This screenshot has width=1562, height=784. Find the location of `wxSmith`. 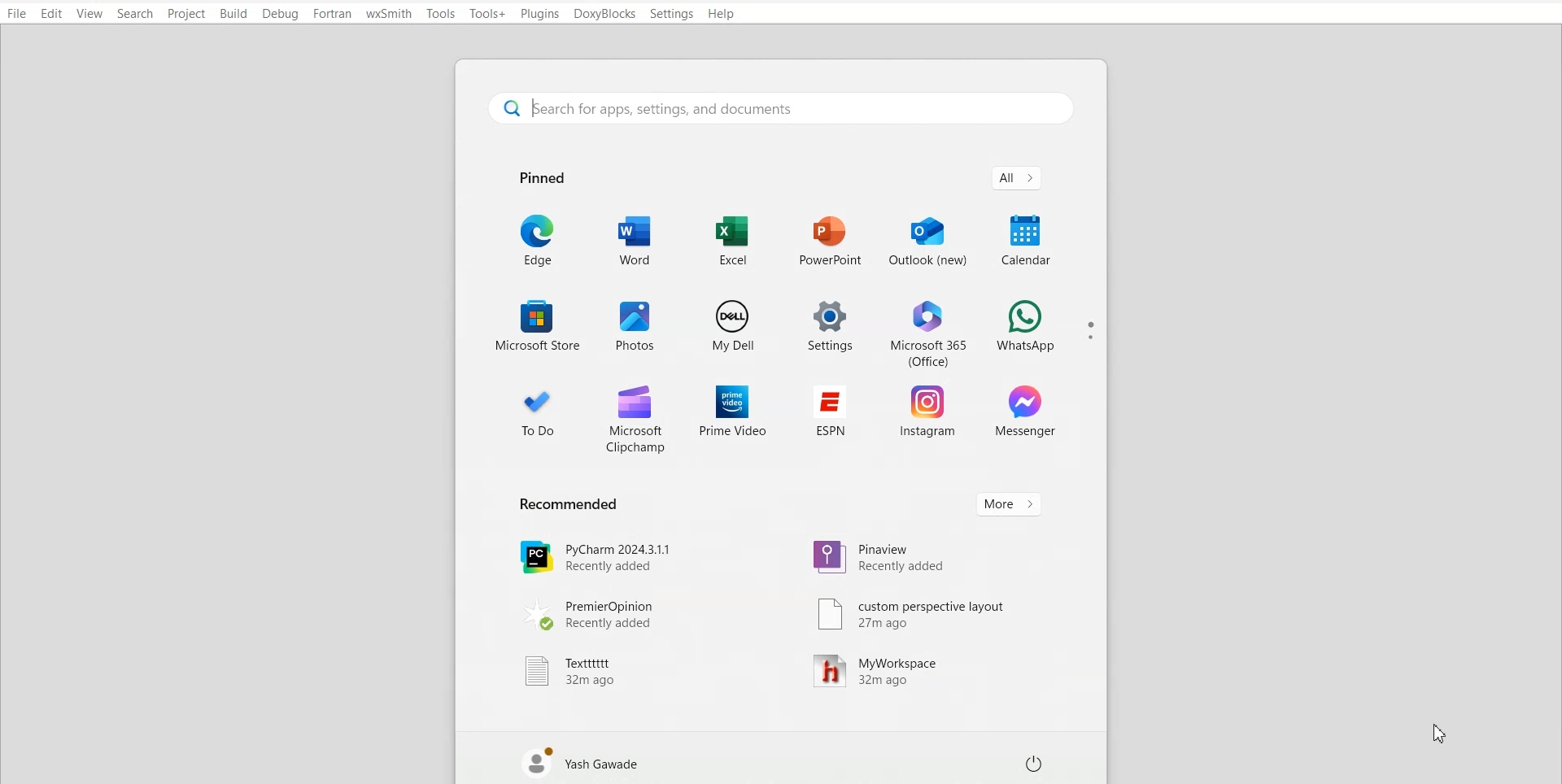

wxSmith is located at coordinates (389, 13).